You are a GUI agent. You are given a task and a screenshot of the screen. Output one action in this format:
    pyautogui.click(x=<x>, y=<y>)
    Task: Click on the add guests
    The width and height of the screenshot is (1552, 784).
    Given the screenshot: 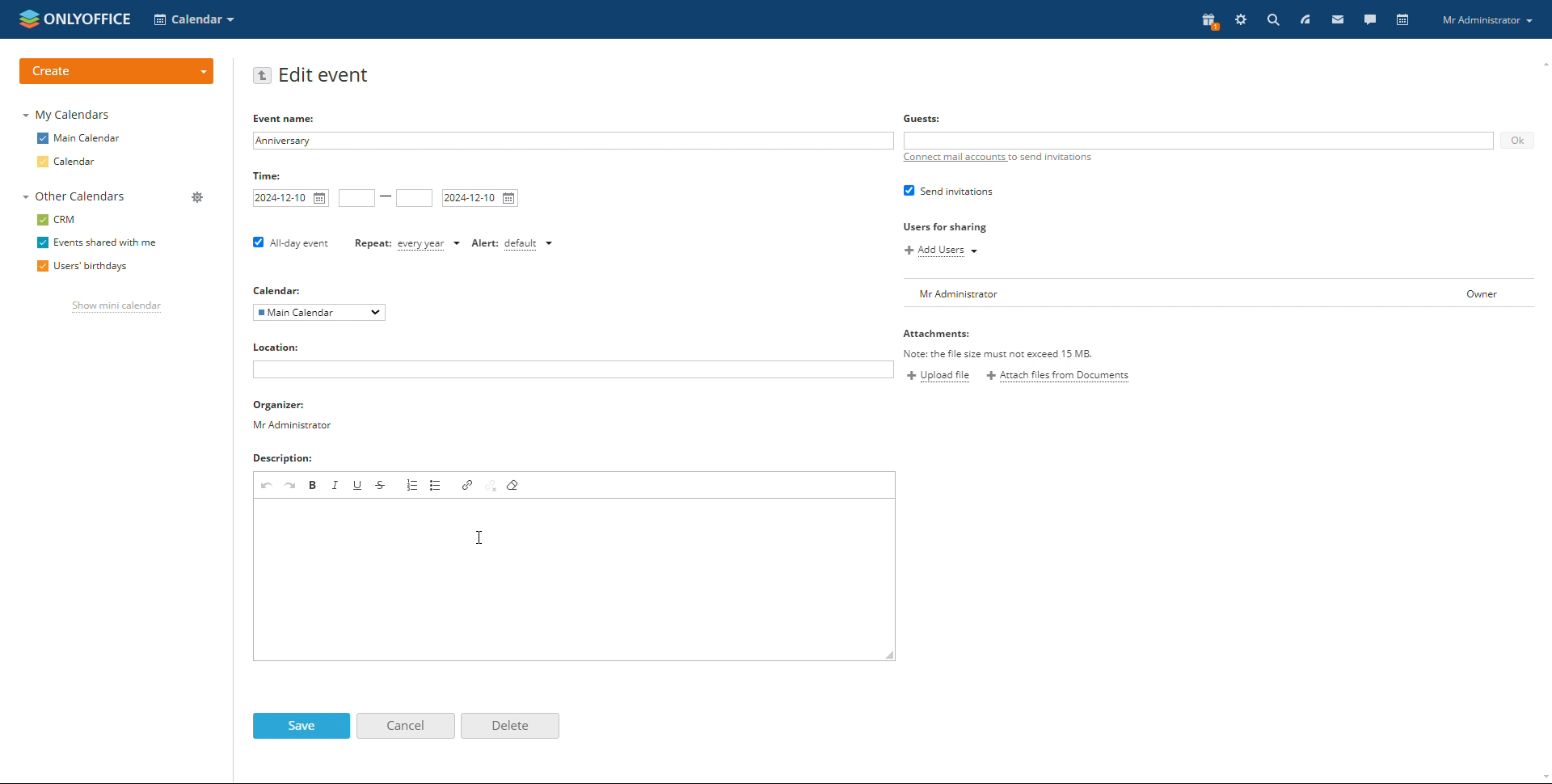 What is the action you would take?
    pyautogui.click(x=1196, y=141)
    